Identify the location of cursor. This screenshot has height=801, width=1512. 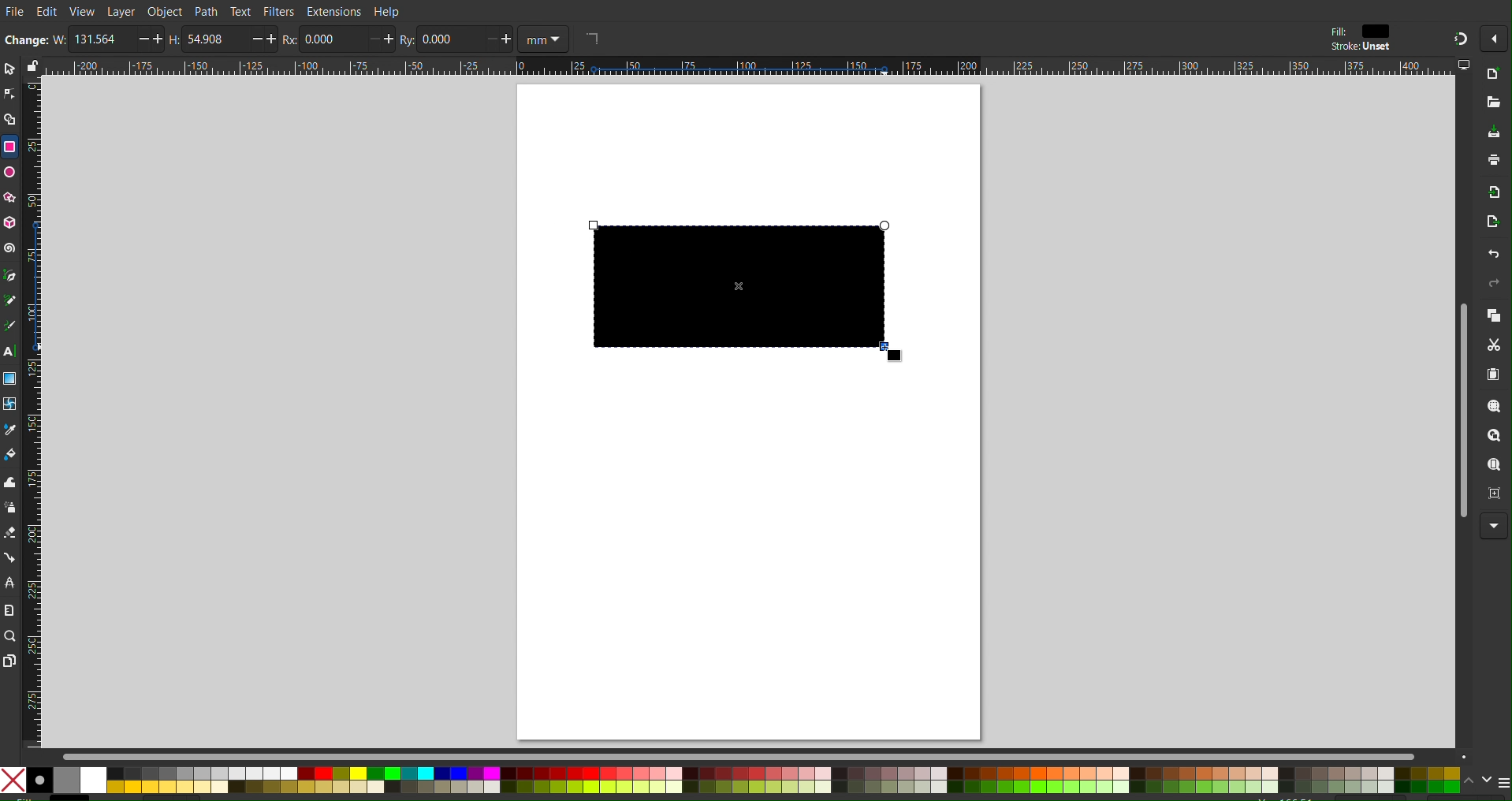
(903, 356).